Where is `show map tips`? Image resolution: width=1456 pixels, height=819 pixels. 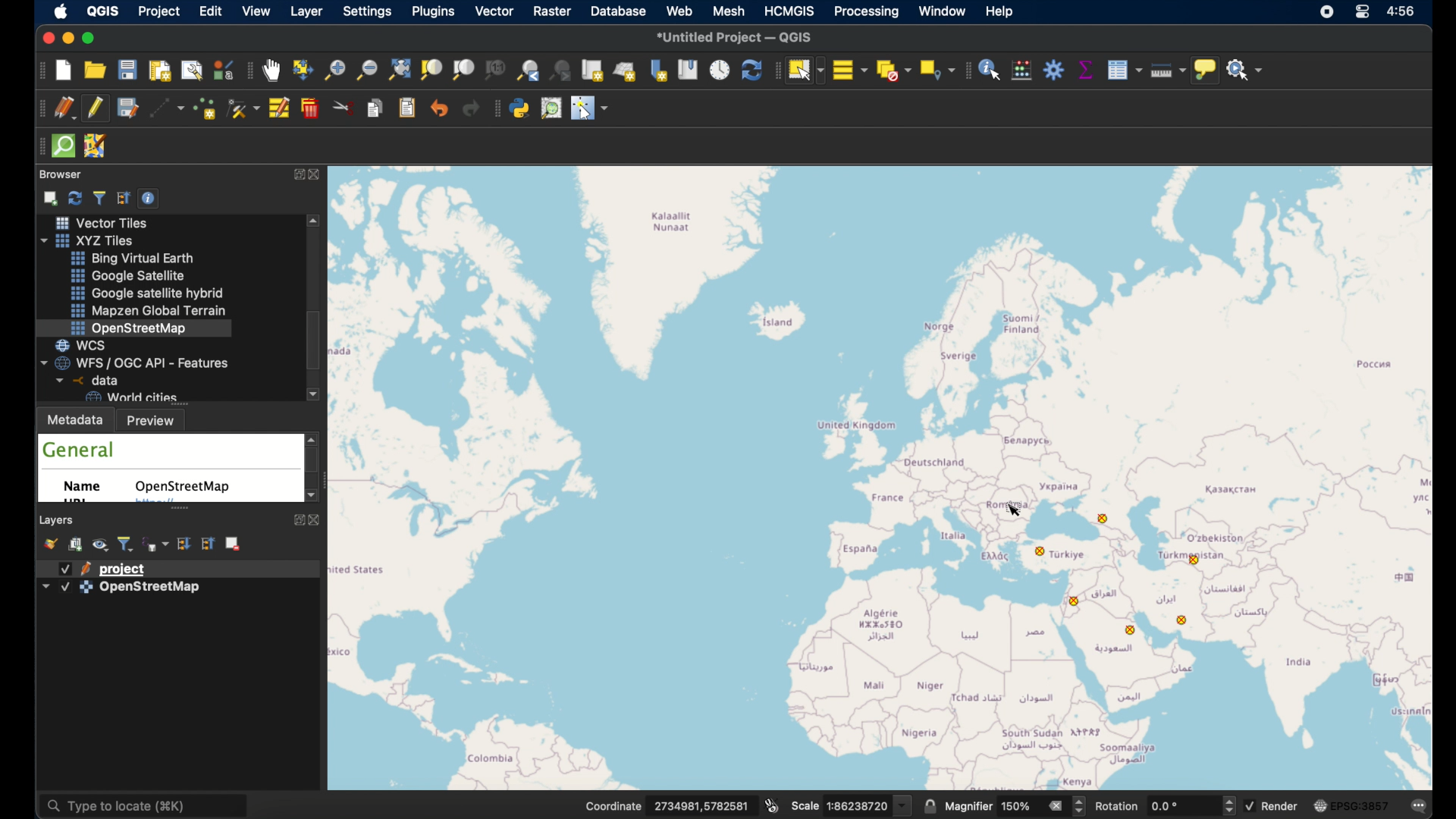 show map tips is located at coordinates (1205, 71).